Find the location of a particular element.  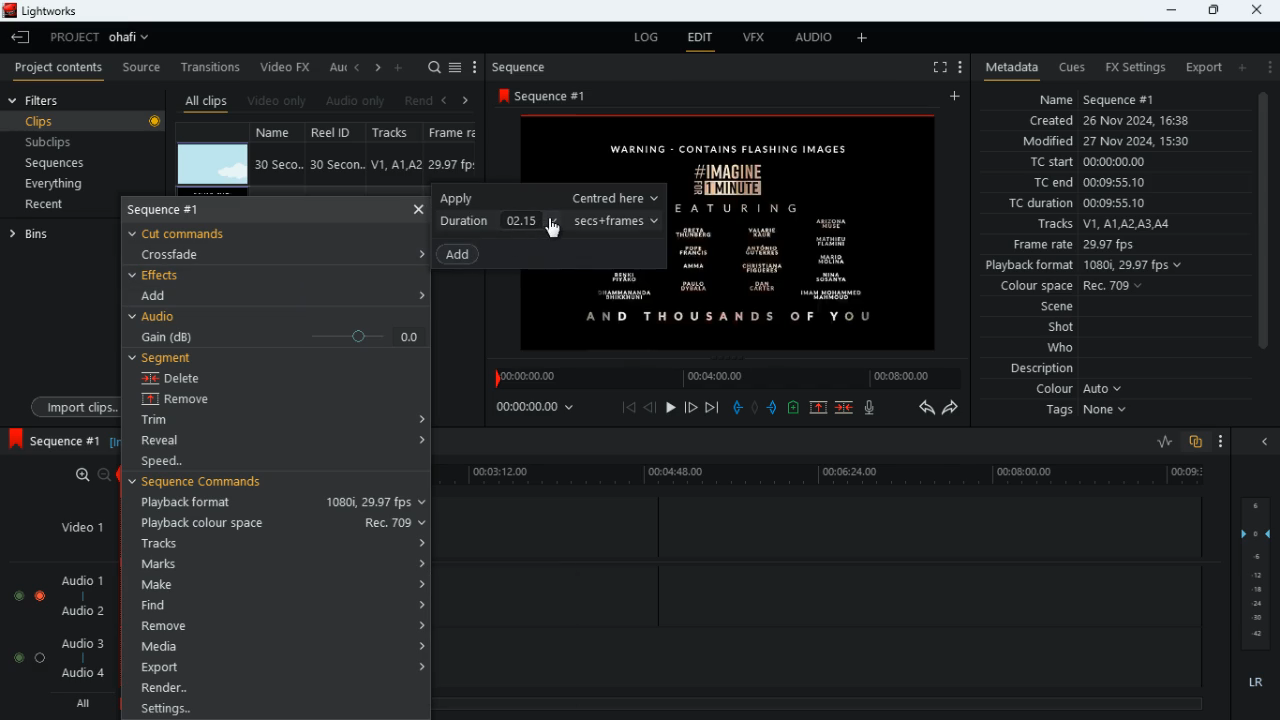

all is located at coordinates (80, 704).